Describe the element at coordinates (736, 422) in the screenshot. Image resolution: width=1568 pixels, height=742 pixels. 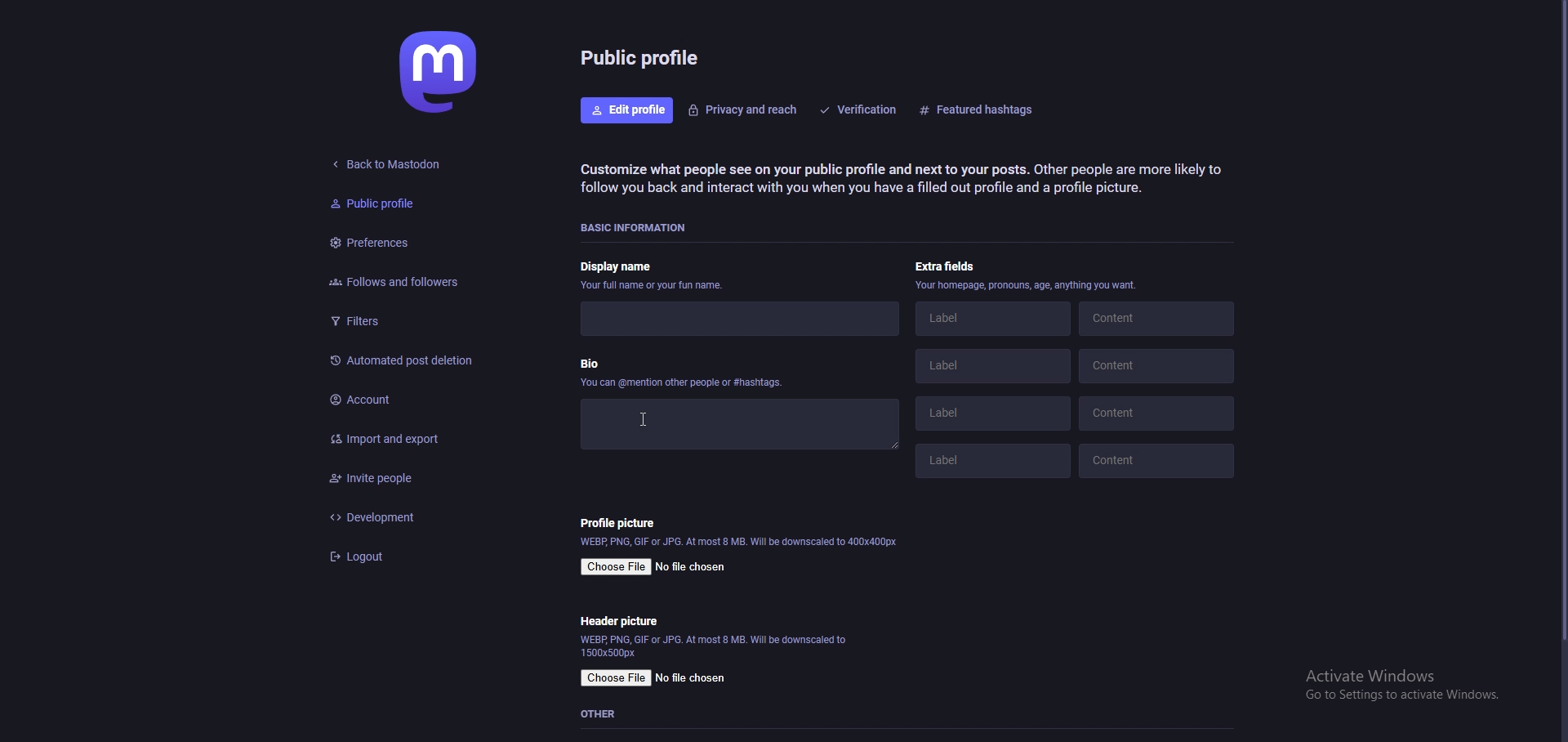
I see `bio input` at that location.